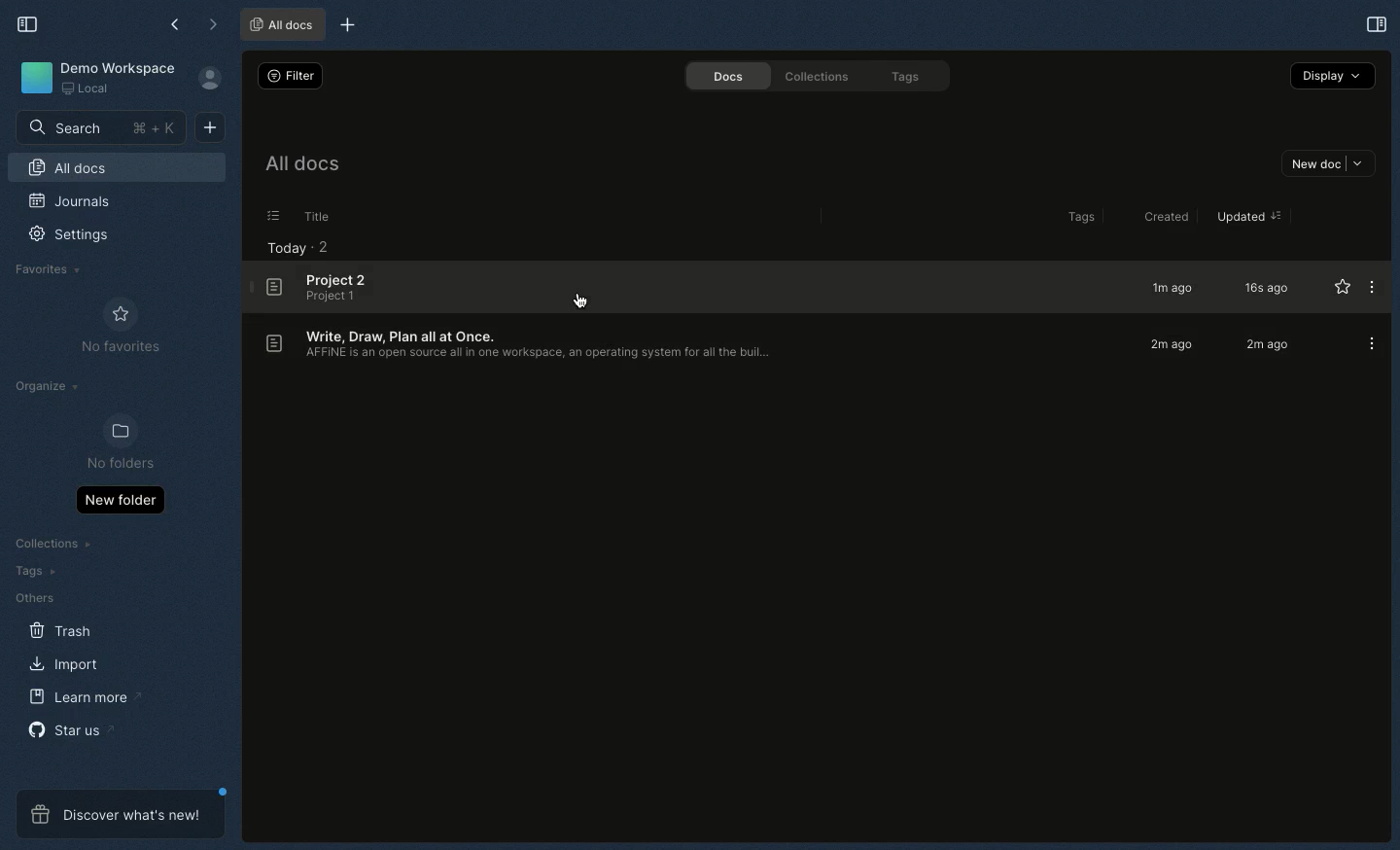 The width and height of the screenshot is (1400, 850). Describe the element at coordinates (121, 325) in the screenshot. I see `No favourites` at that location.